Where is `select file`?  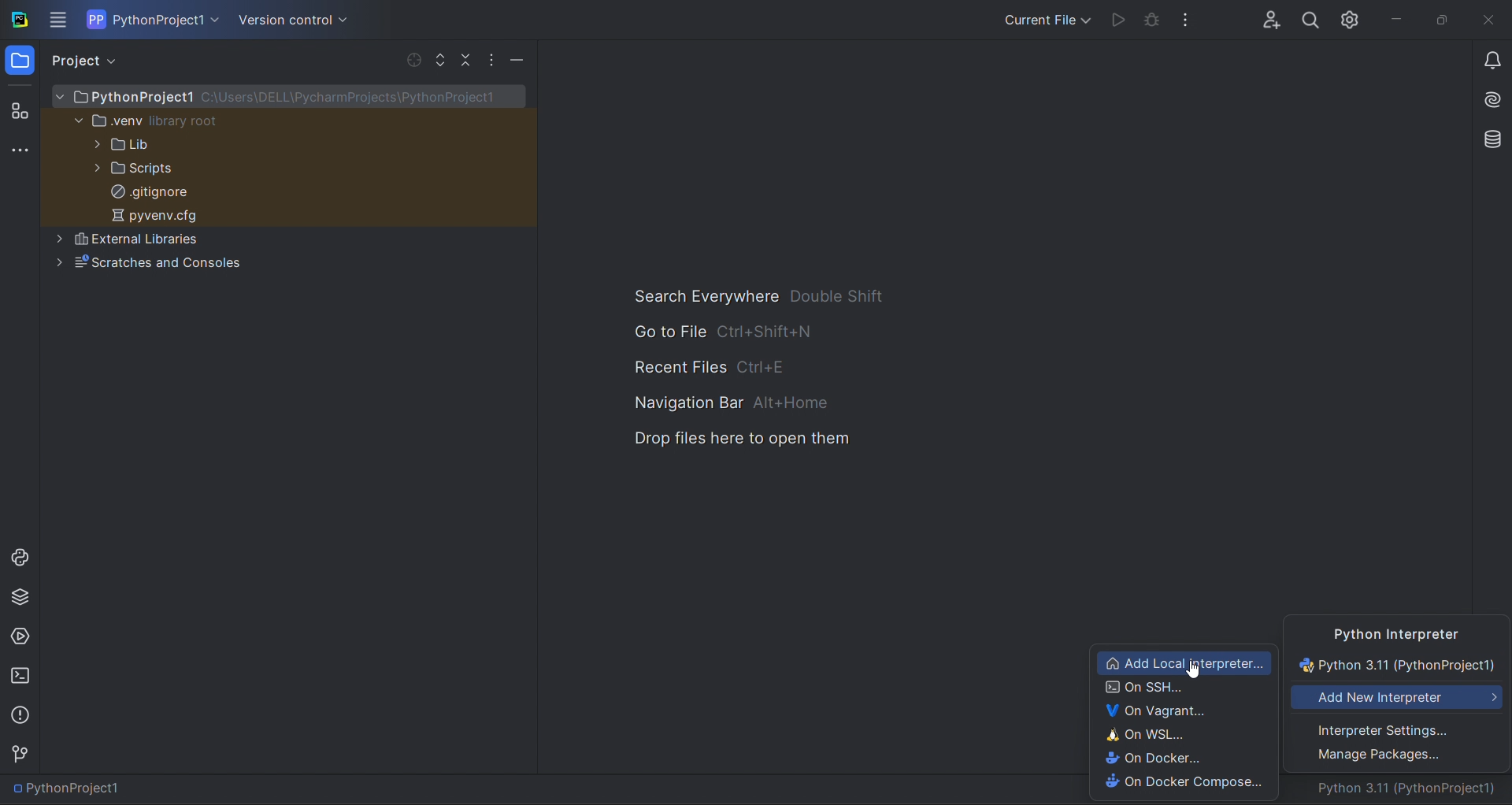 select file is located at coordinates (412, 61).